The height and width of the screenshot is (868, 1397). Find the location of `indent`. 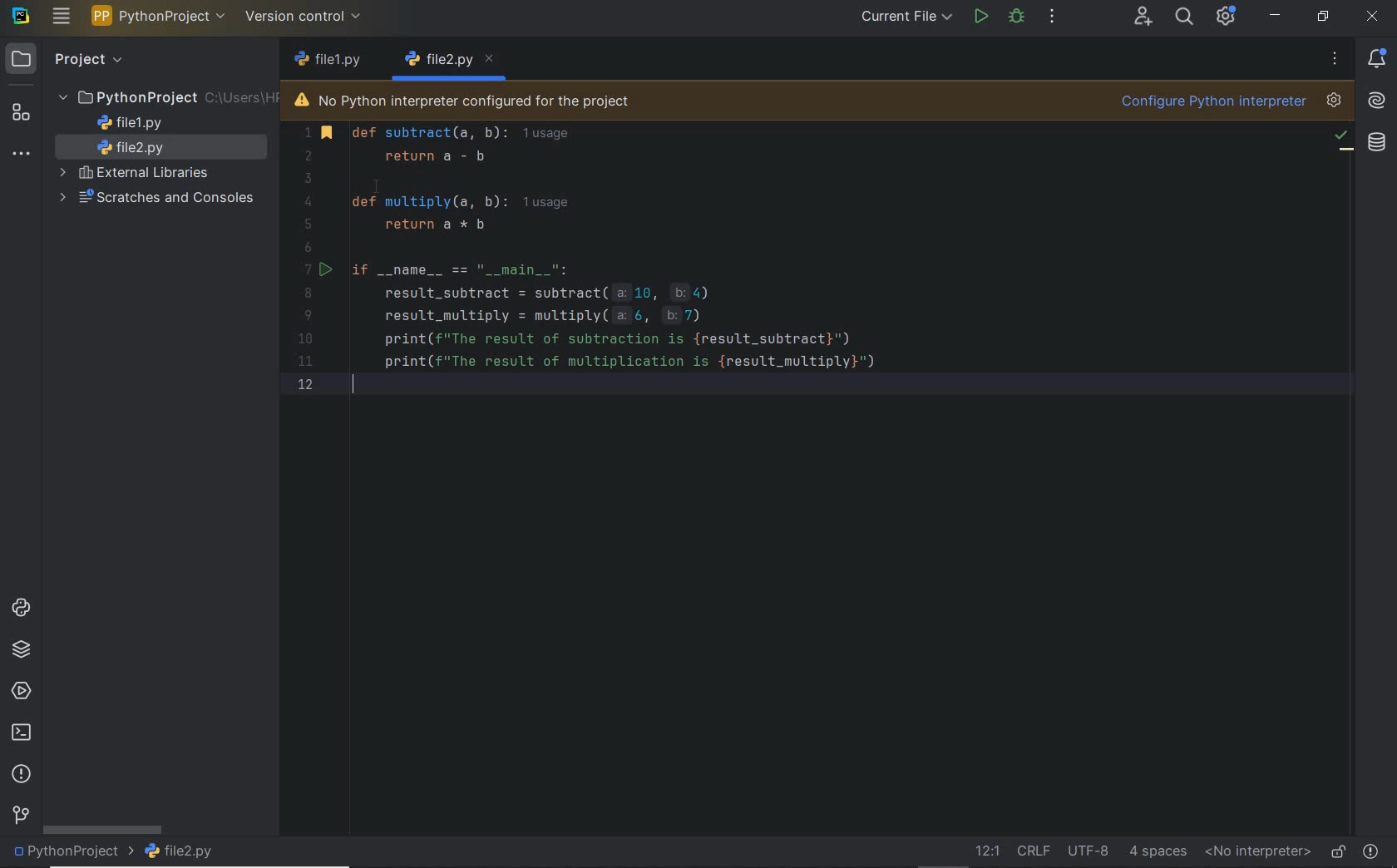

indent is located at coordinates (1157, 851).